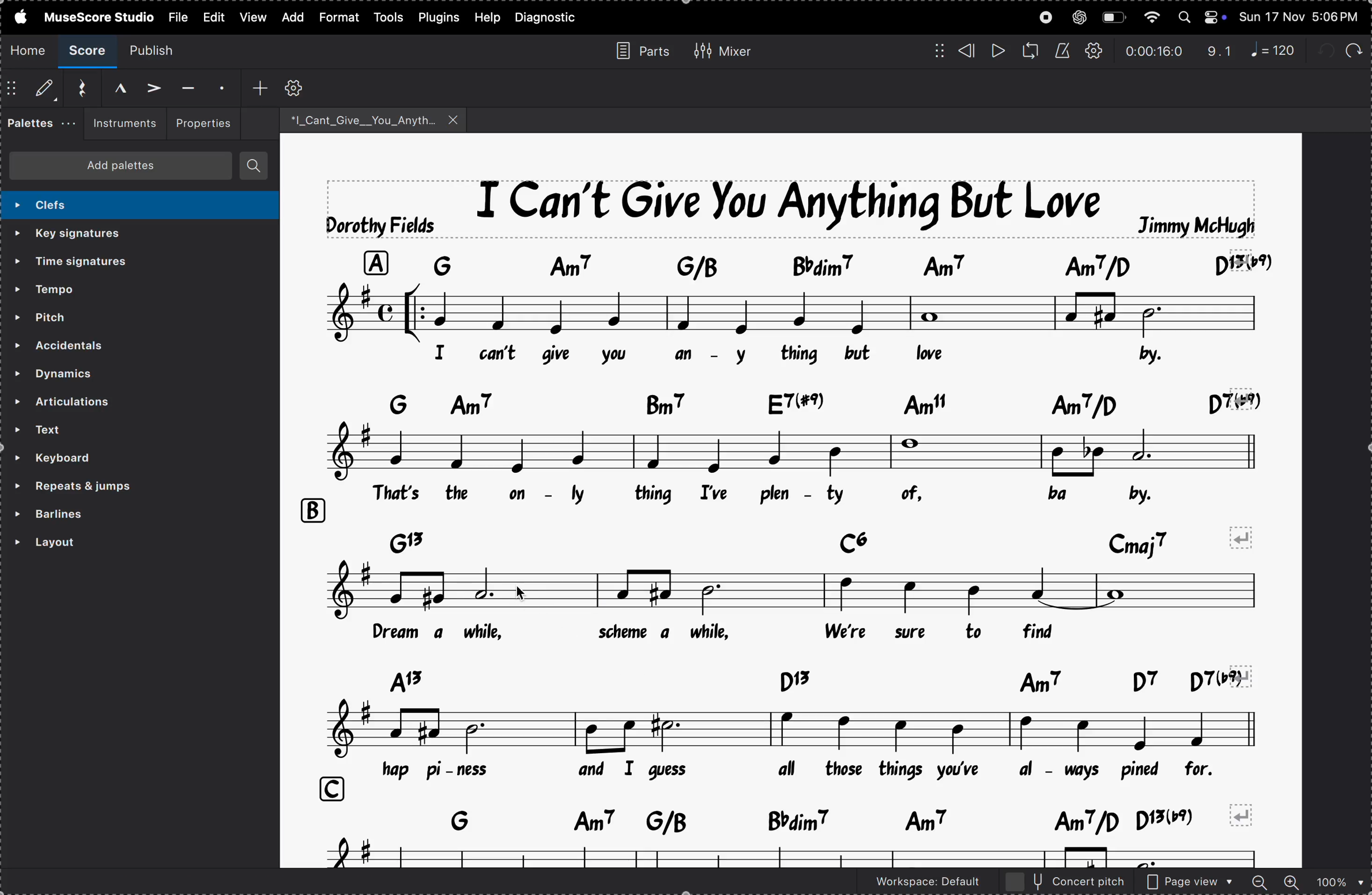  I want to click on keyboard, so click(87, 458).